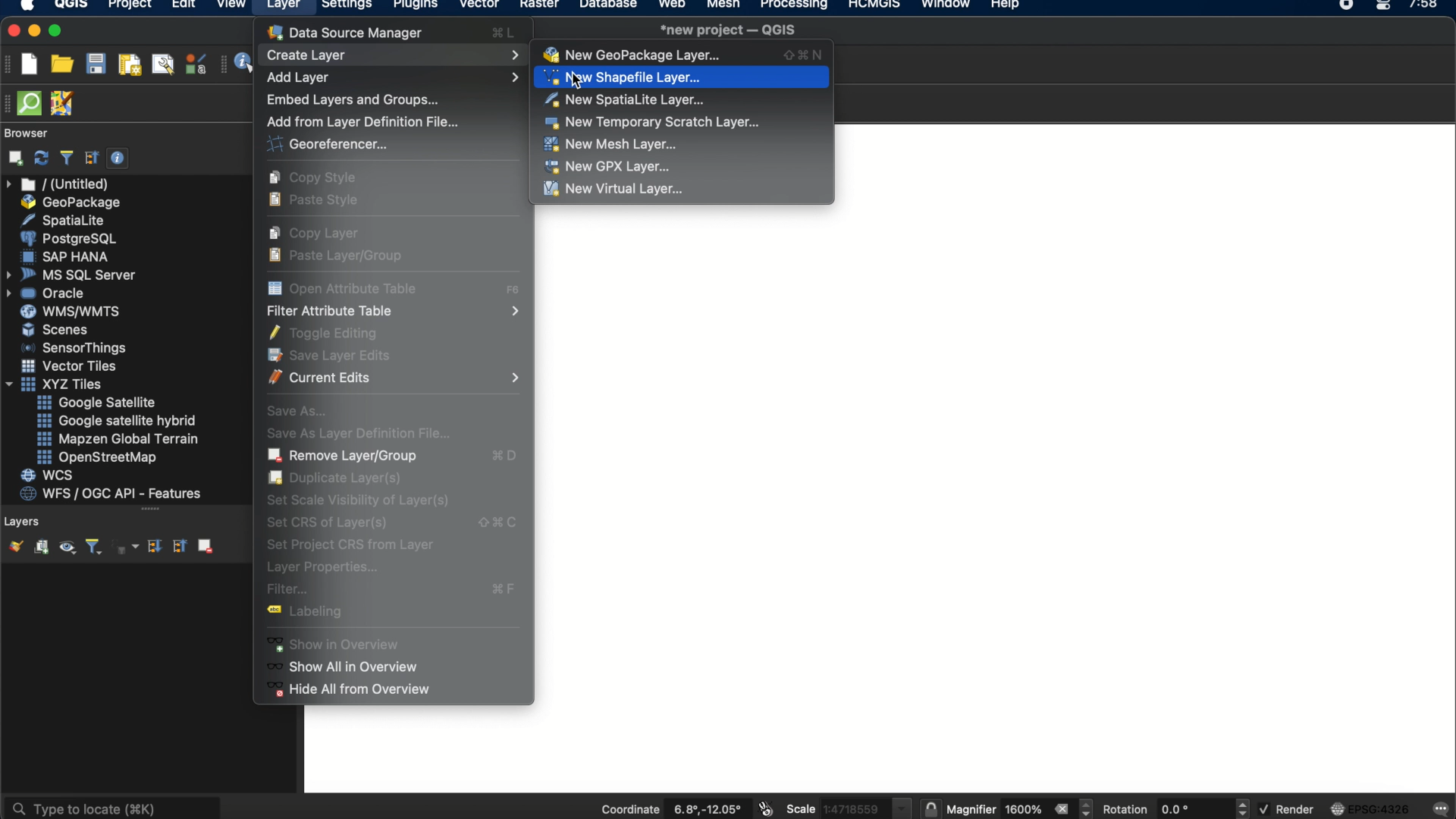  What do you see at coordinates (61, 64) in the screenshot?
I see `open project` at bounding box center [61, 64].